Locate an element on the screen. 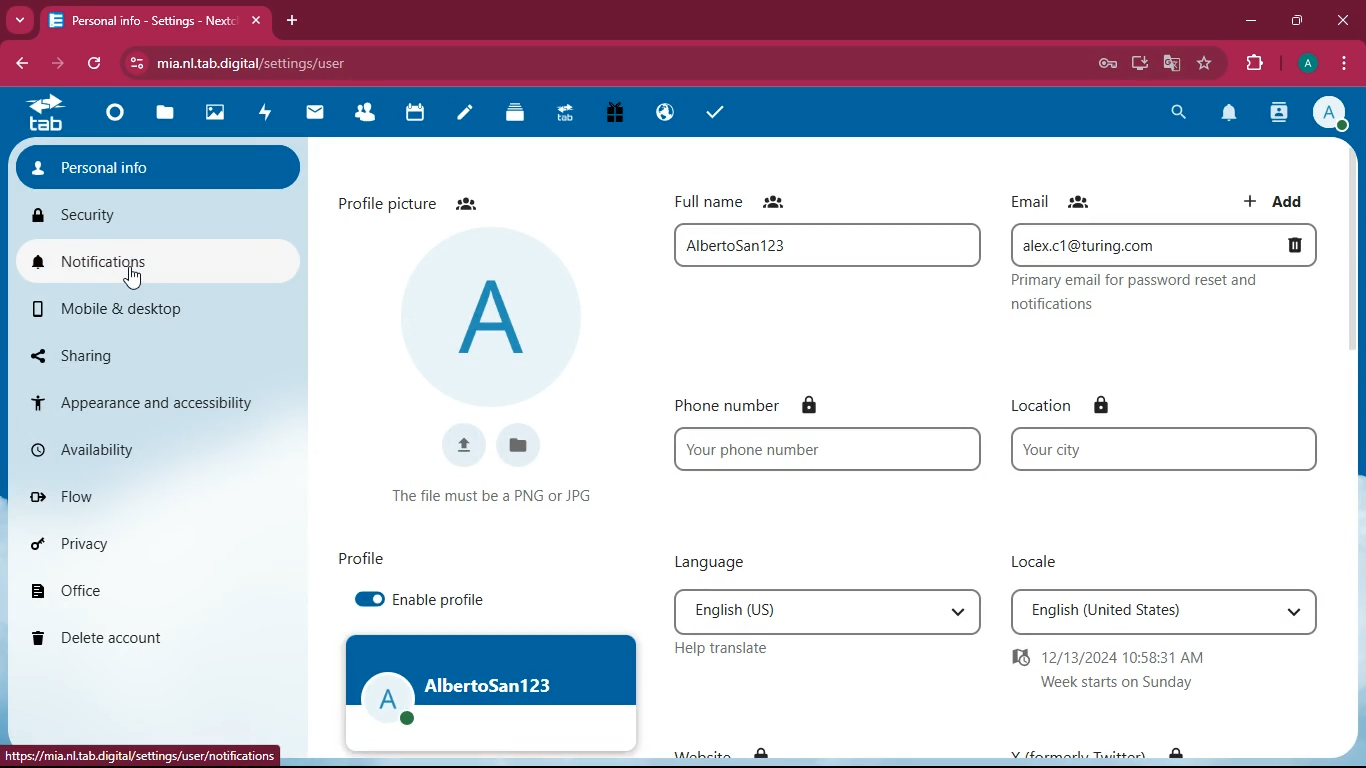 This screenshot has height=768, width=1366. profile is located at coordinates (365, 558).